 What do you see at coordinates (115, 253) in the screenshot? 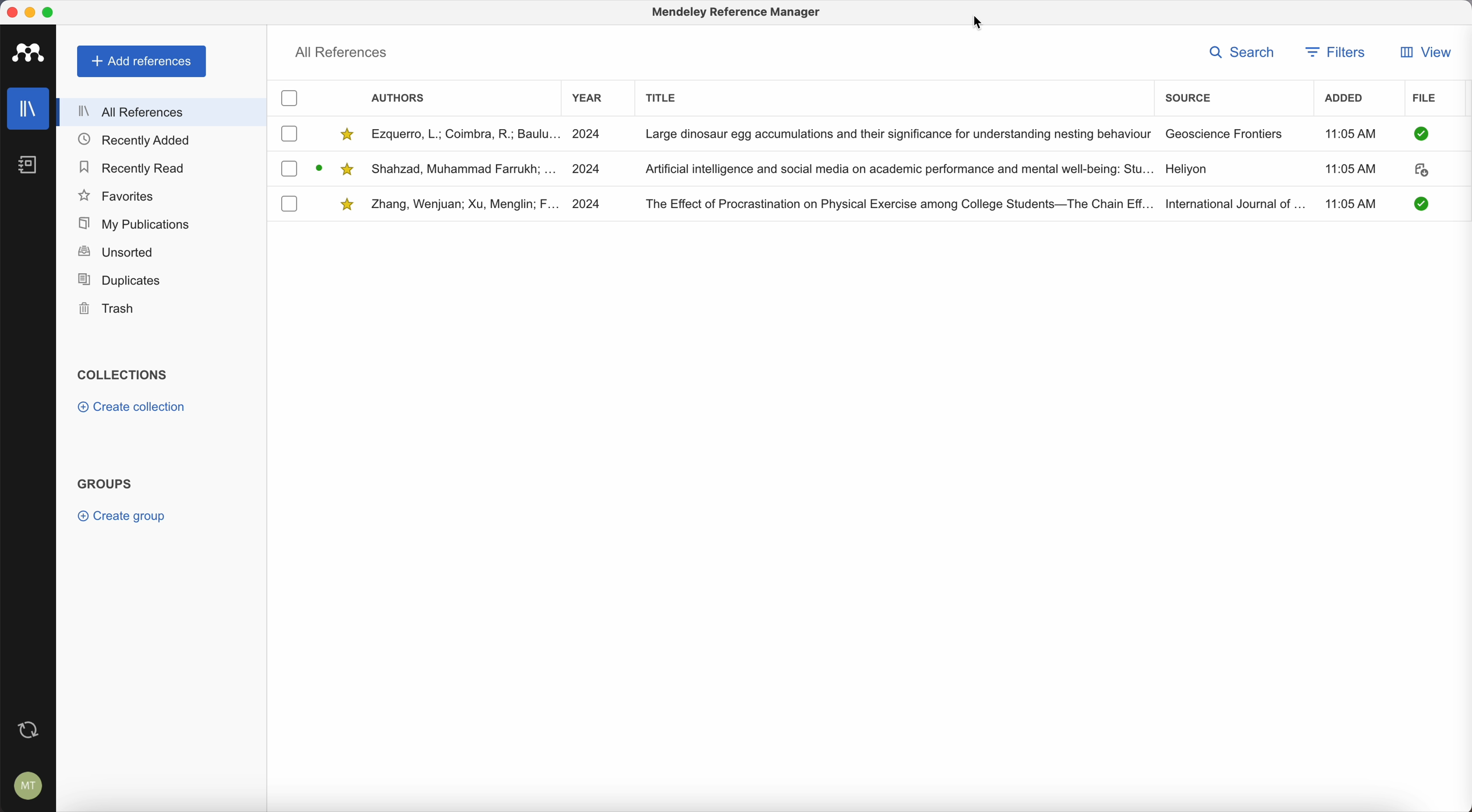
I see `unsorted` at bounding box center [115, 253].